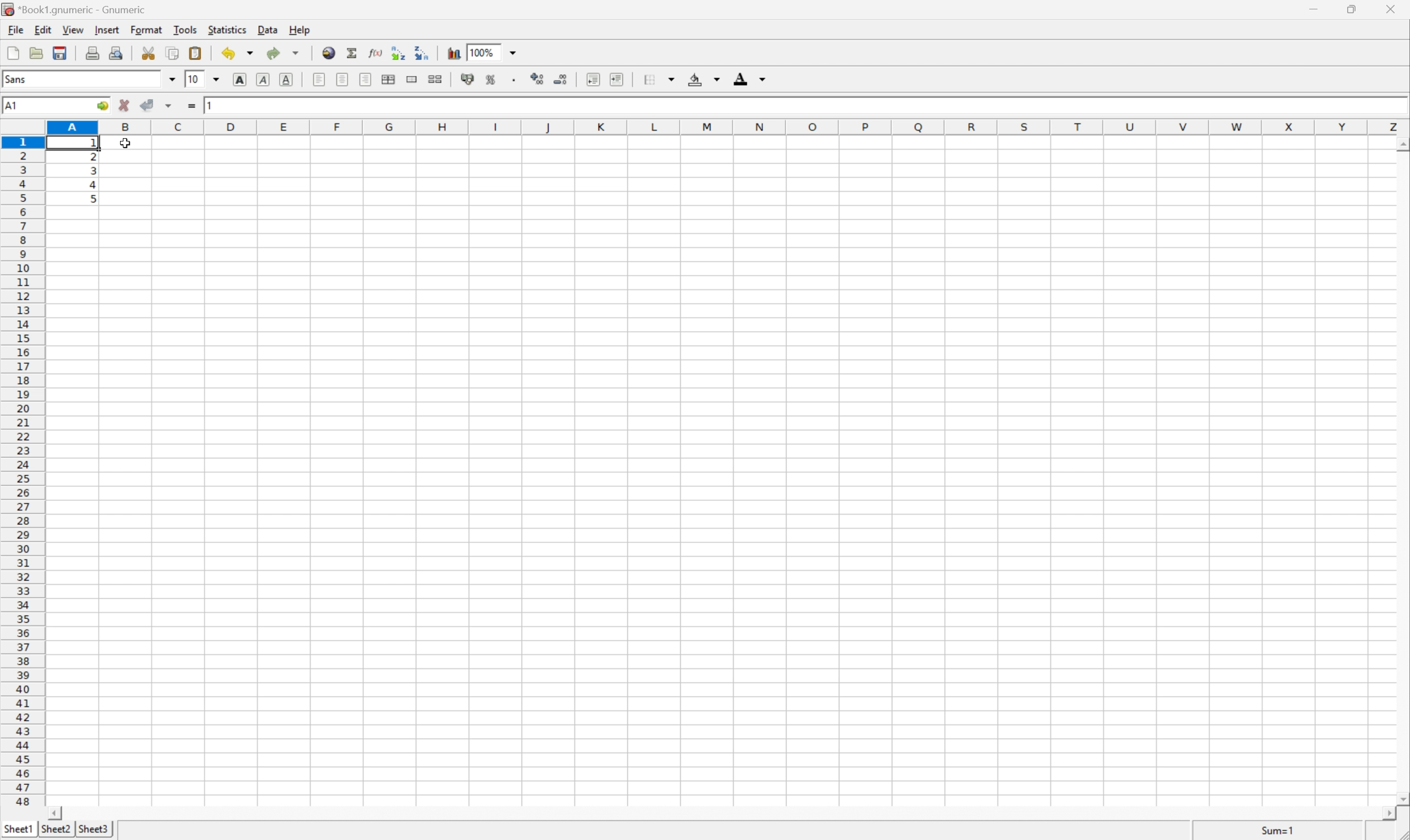 The image size is (1410, 840). Describe the element at coordinates (412, 79) in the screenshot. I see `Merge range of cells` at that location.